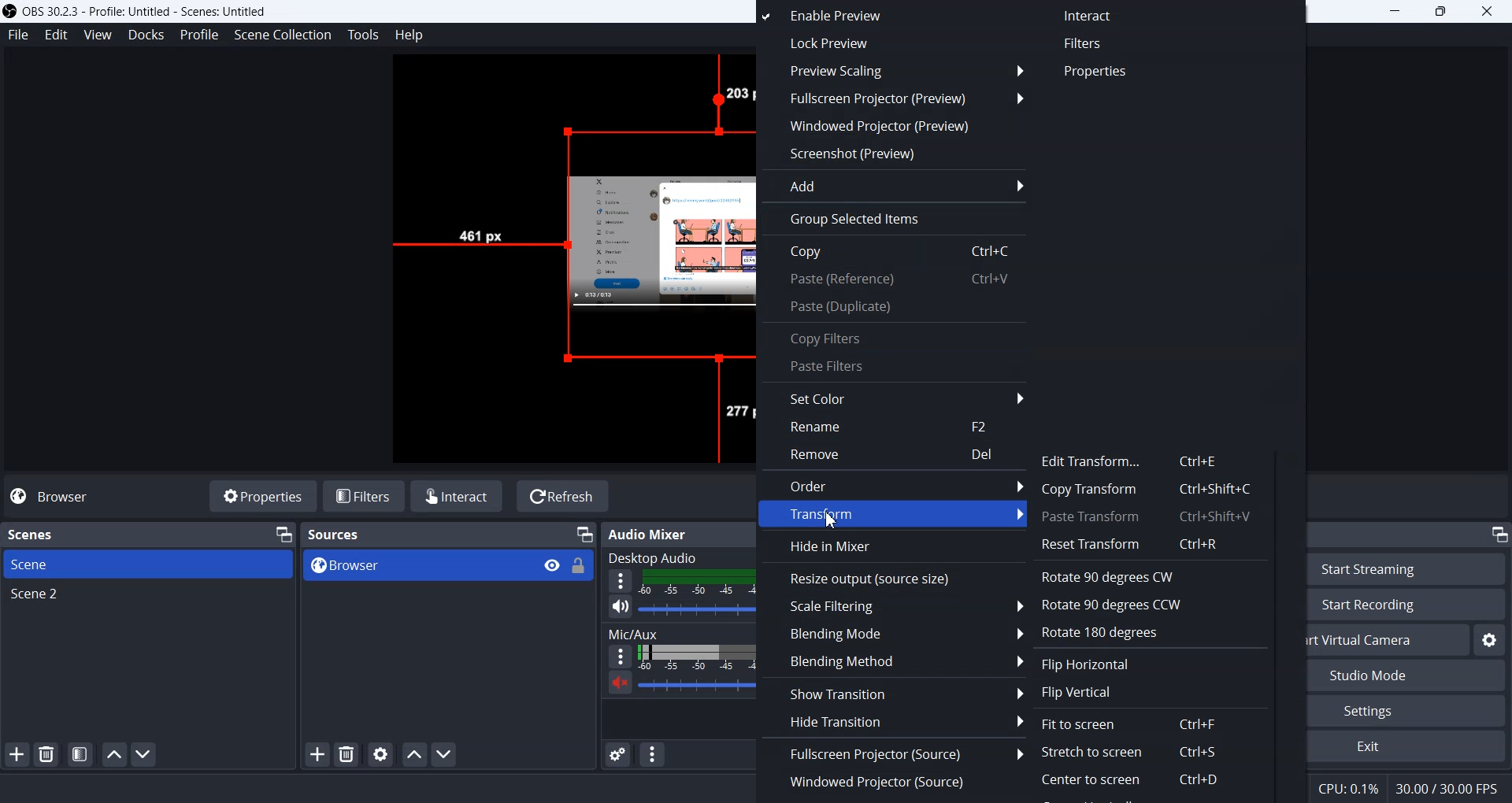  What do you see at coordinates (1492, 640) in the screenshot?
I see `Configure virtual camera` at bounding box center [1492, 640].